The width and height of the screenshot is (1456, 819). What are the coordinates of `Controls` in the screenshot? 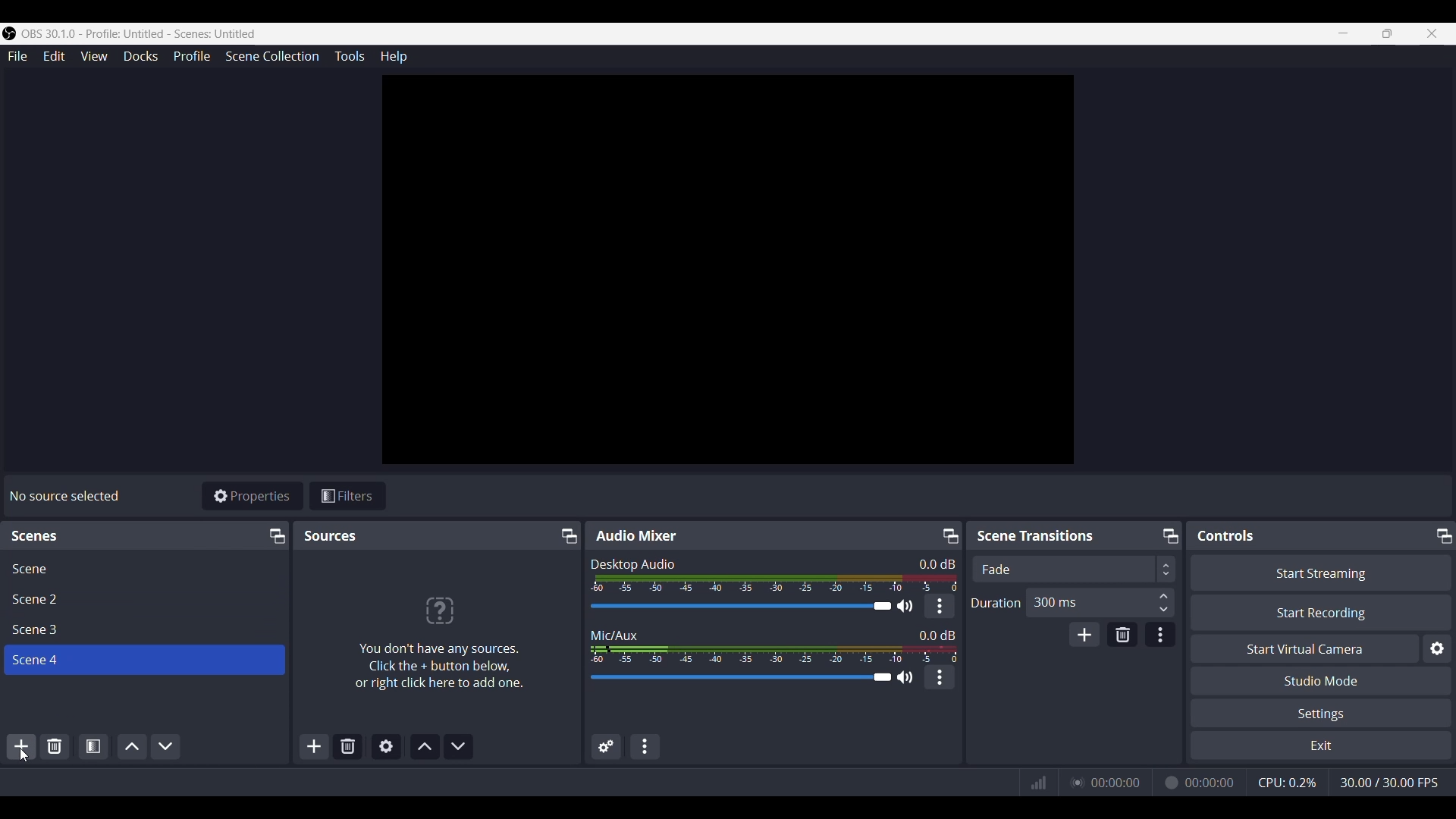 It's located at (1226, 536).